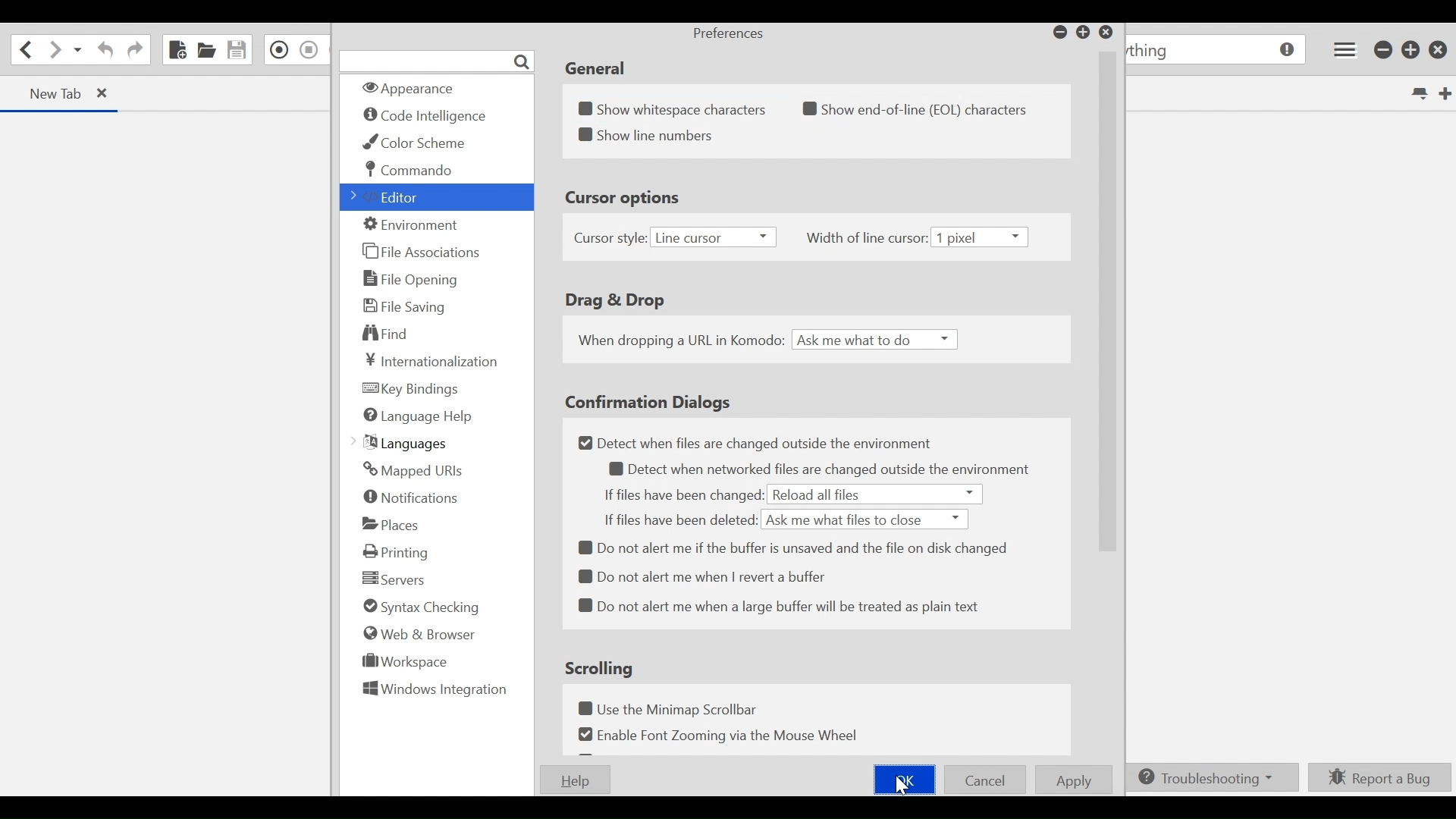 This screenshot has height=819, width=1456. Describe the element at coordinates (704, 576) in the screenshot. I see `Do not alert me when I revert a buffer` at that location.